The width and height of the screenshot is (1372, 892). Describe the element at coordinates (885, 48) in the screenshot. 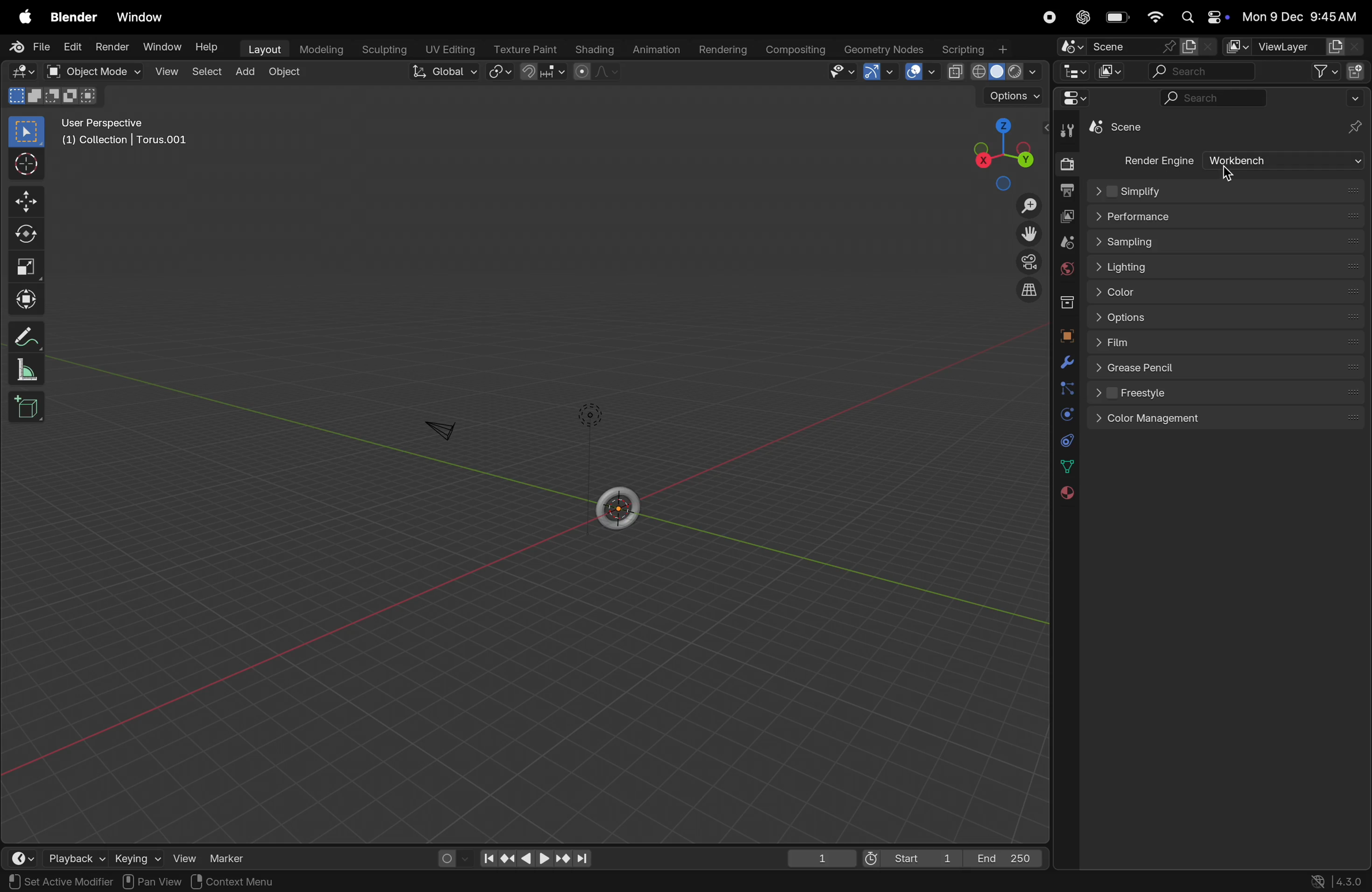

I see `Geomtery notes` at that location.